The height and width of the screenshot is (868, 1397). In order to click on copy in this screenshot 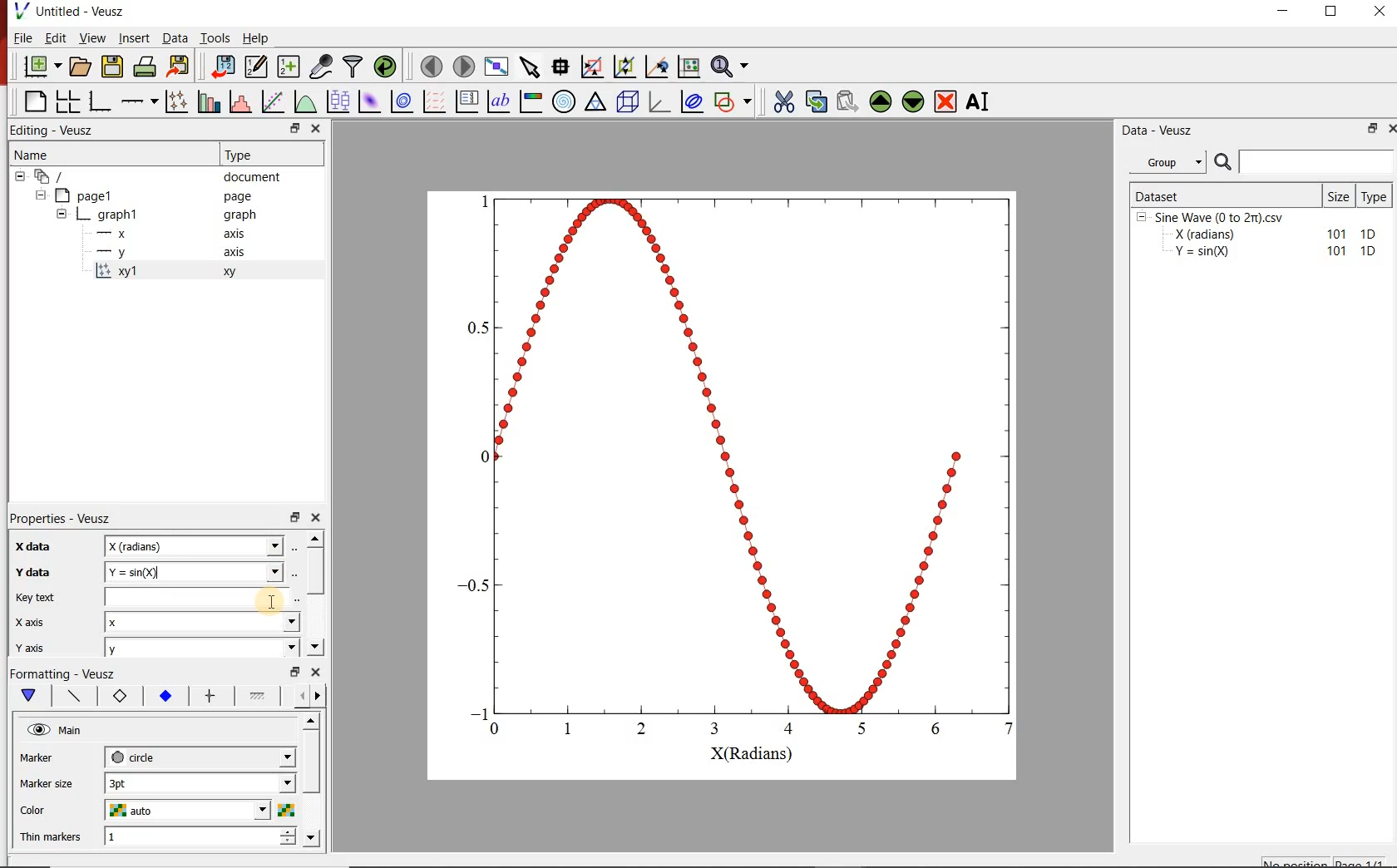, I will do `click(816, 100)`.